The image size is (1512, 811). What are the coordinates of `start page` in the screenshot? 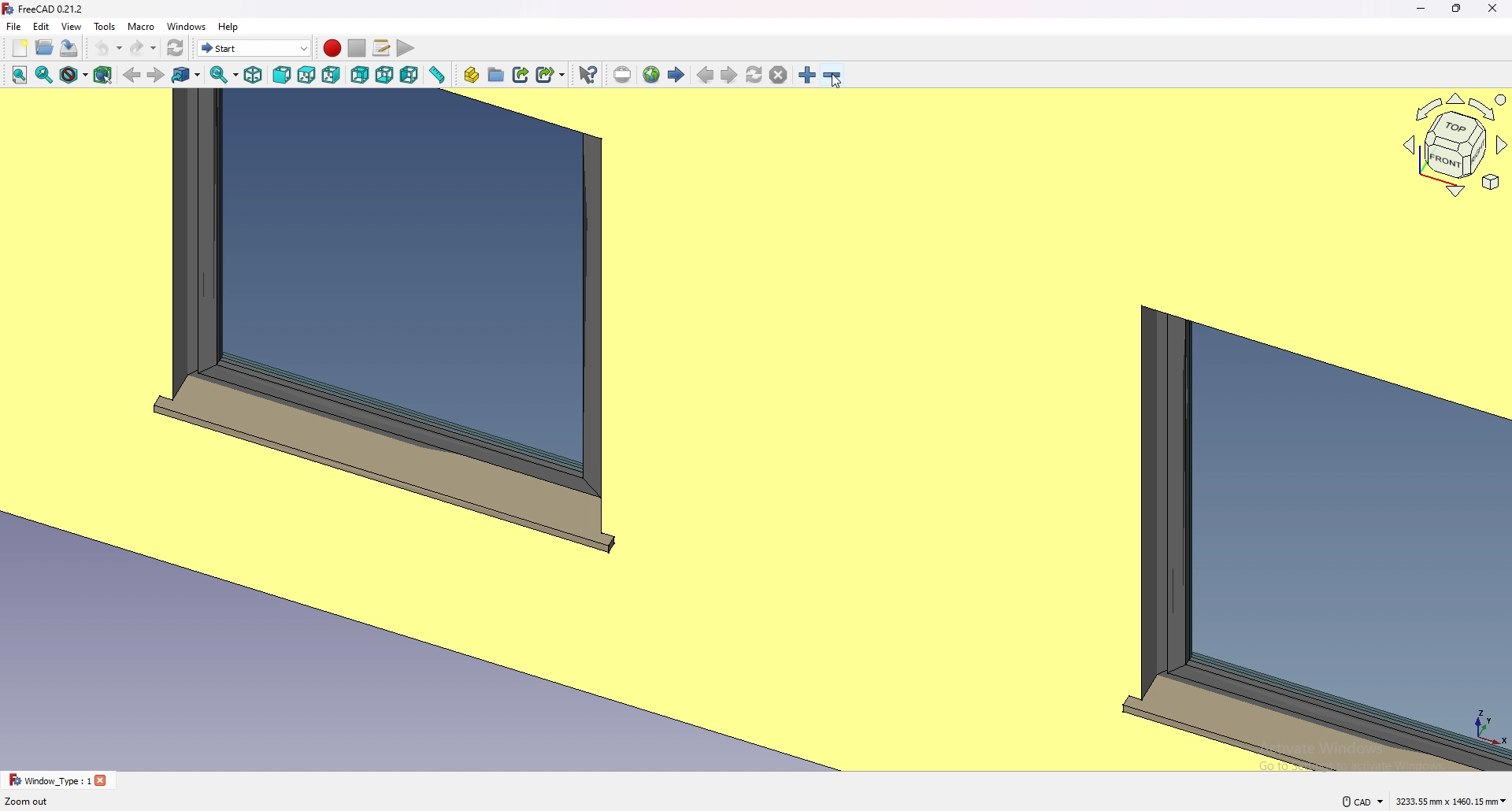 It's located at (676, 73).